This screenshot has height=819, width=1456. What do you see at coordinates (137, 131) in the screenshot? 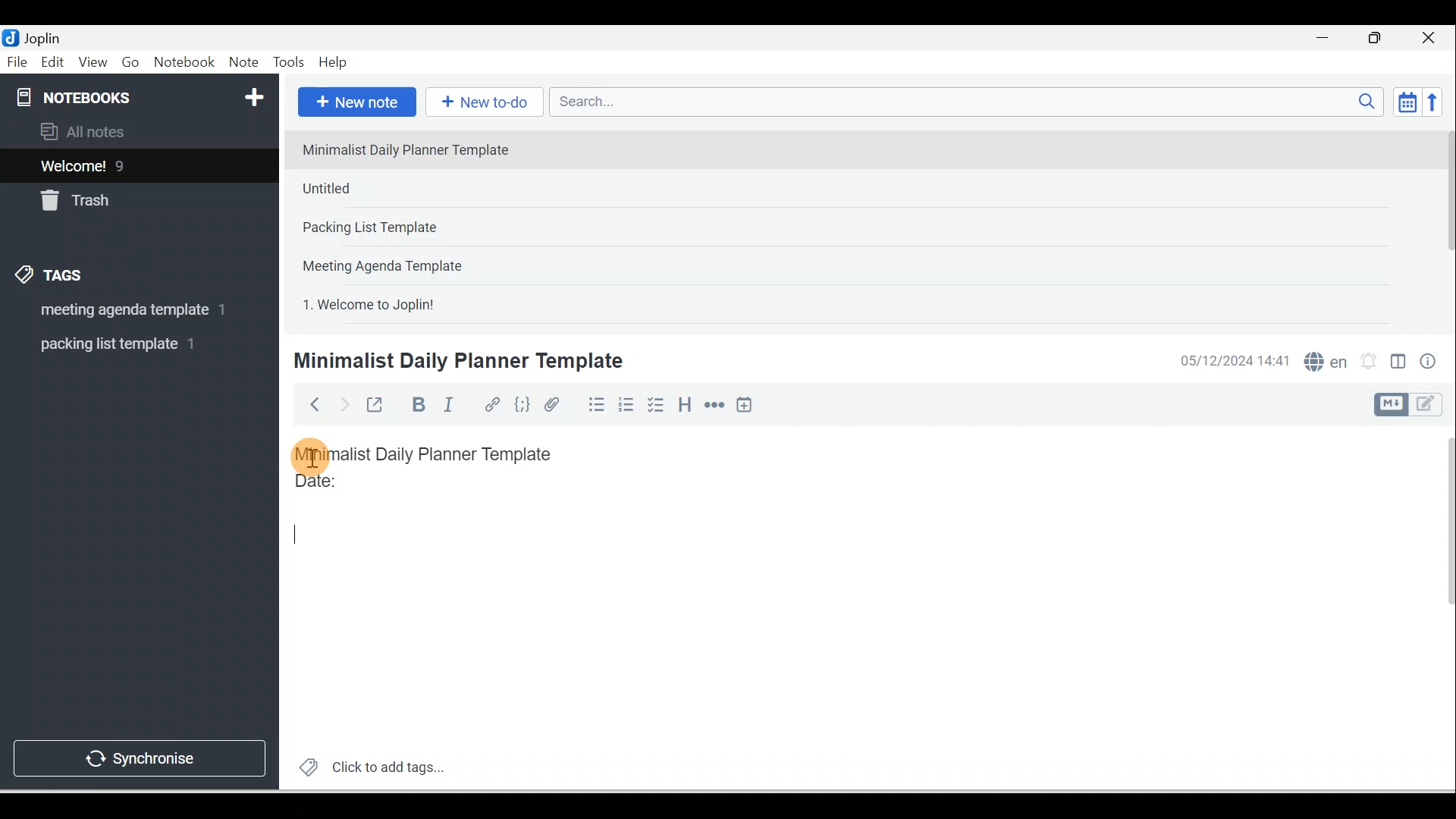
I see `All notes` at bounding box center [137, 131].